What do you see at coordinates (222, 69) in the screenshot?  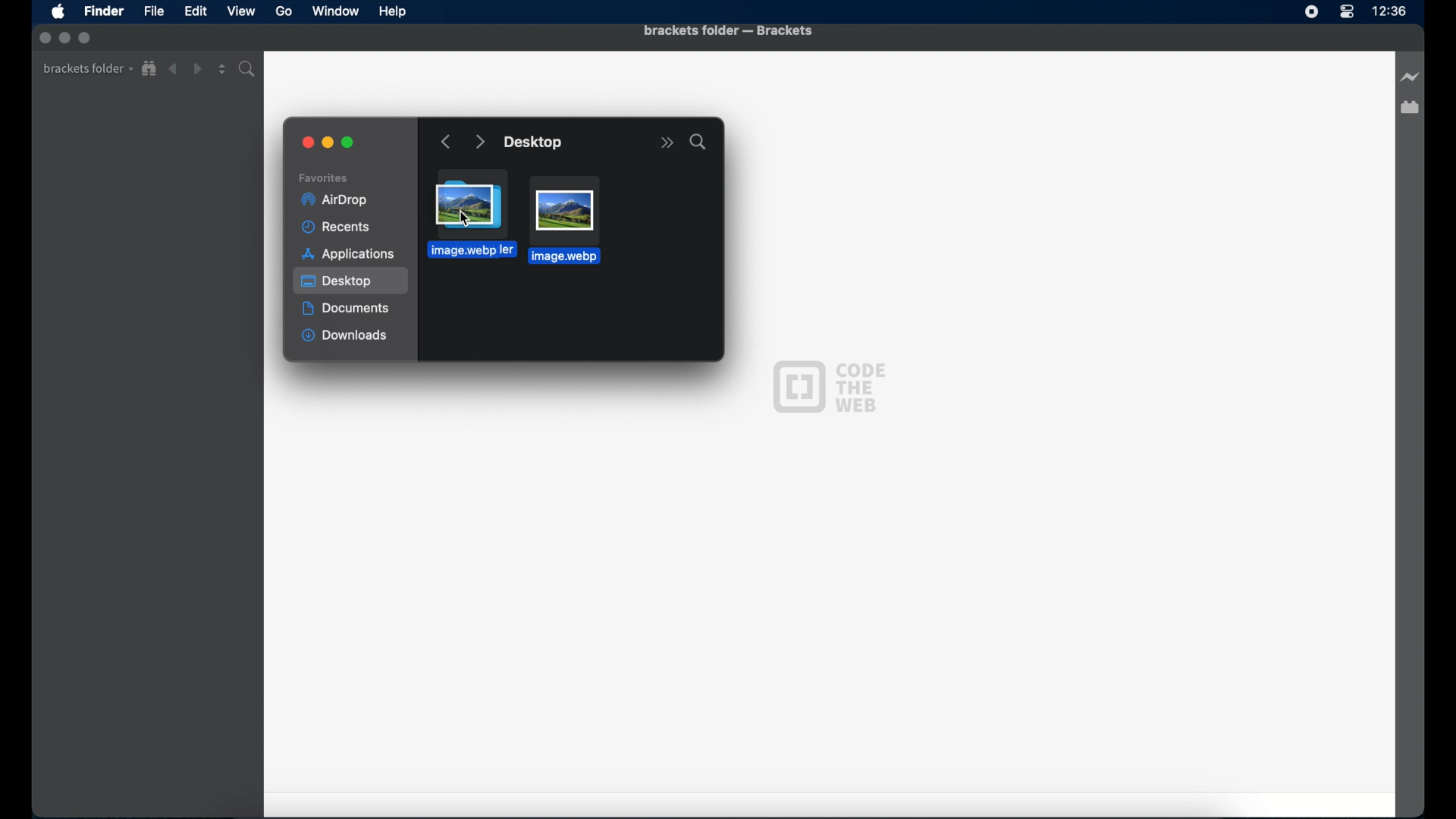 I see `split editor vertical or horizontal` at bounding box center [222, 69].